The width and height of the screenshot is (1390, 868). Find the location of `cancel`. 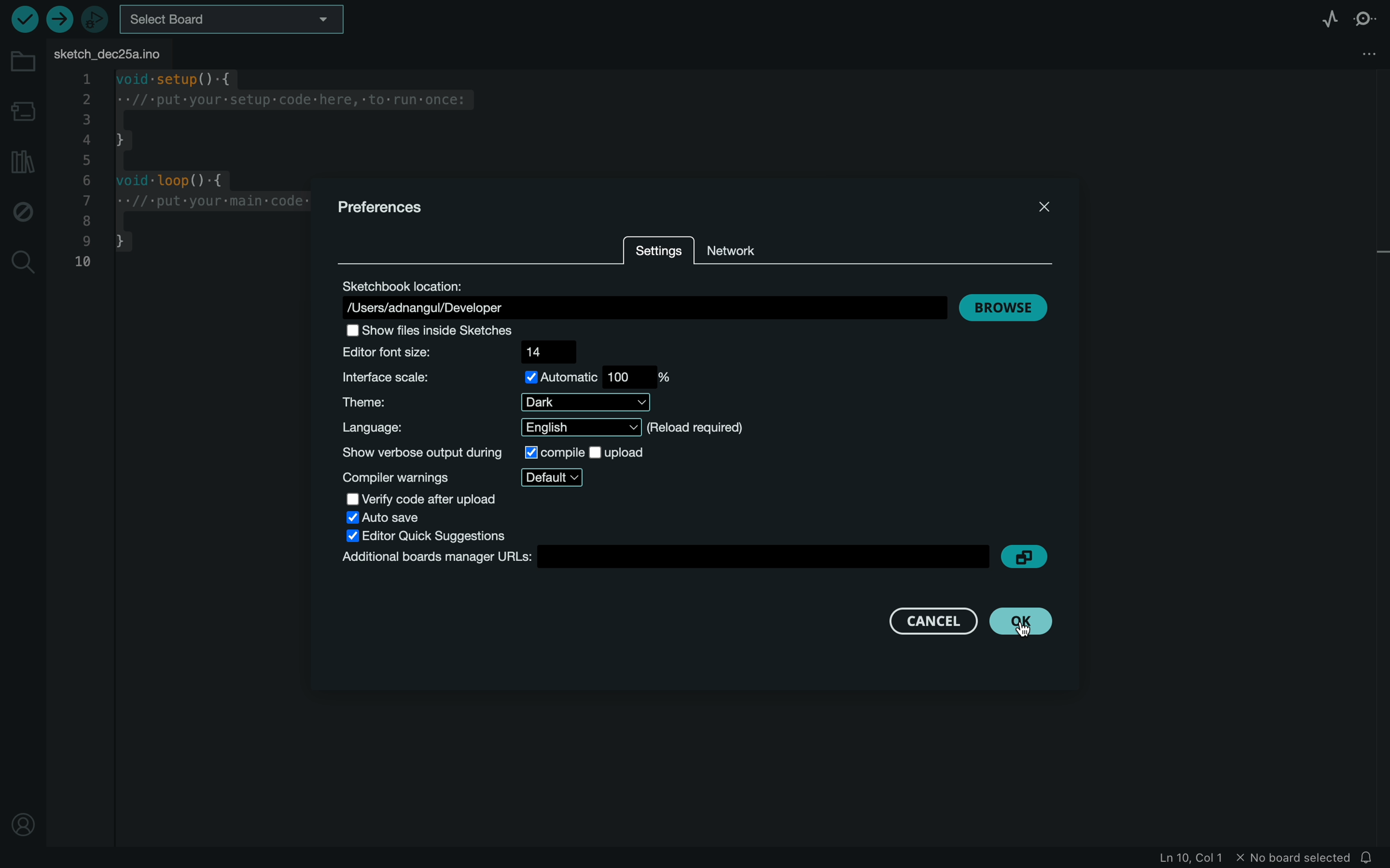

cancel is located at coordinates (929, 619).